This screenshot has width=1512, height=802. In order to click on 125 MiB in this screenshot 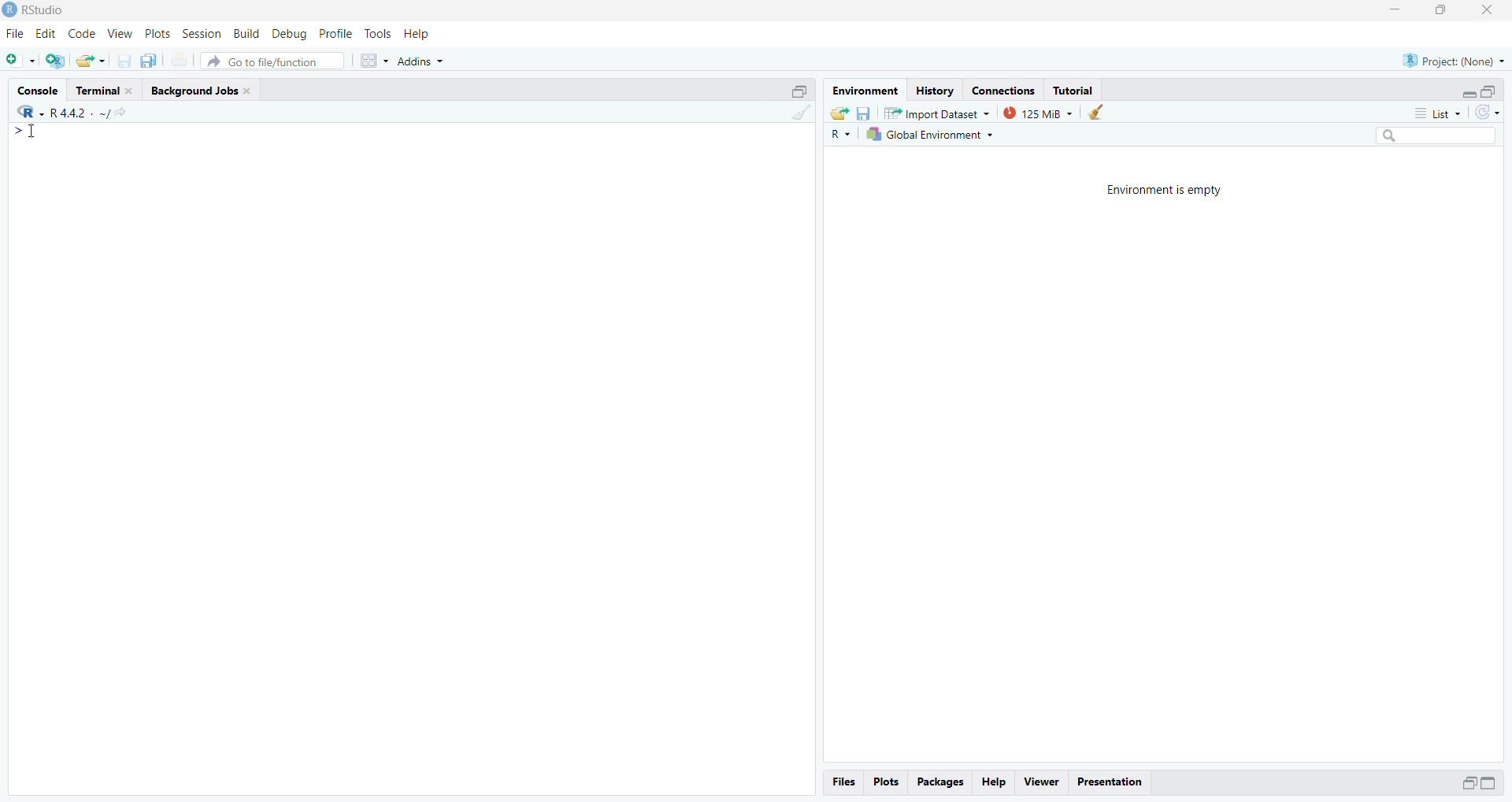, I will do `click(1036, 113)`.